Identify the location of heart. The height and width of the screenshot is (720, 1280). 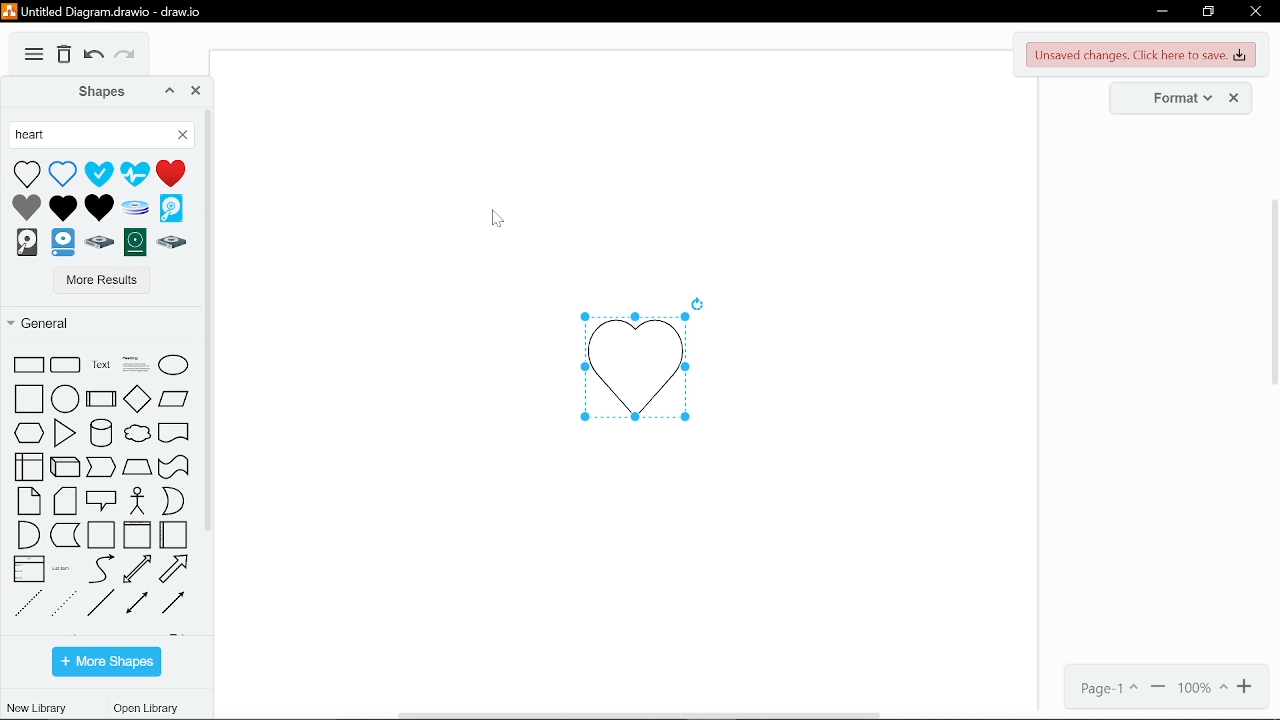
(26, 174).